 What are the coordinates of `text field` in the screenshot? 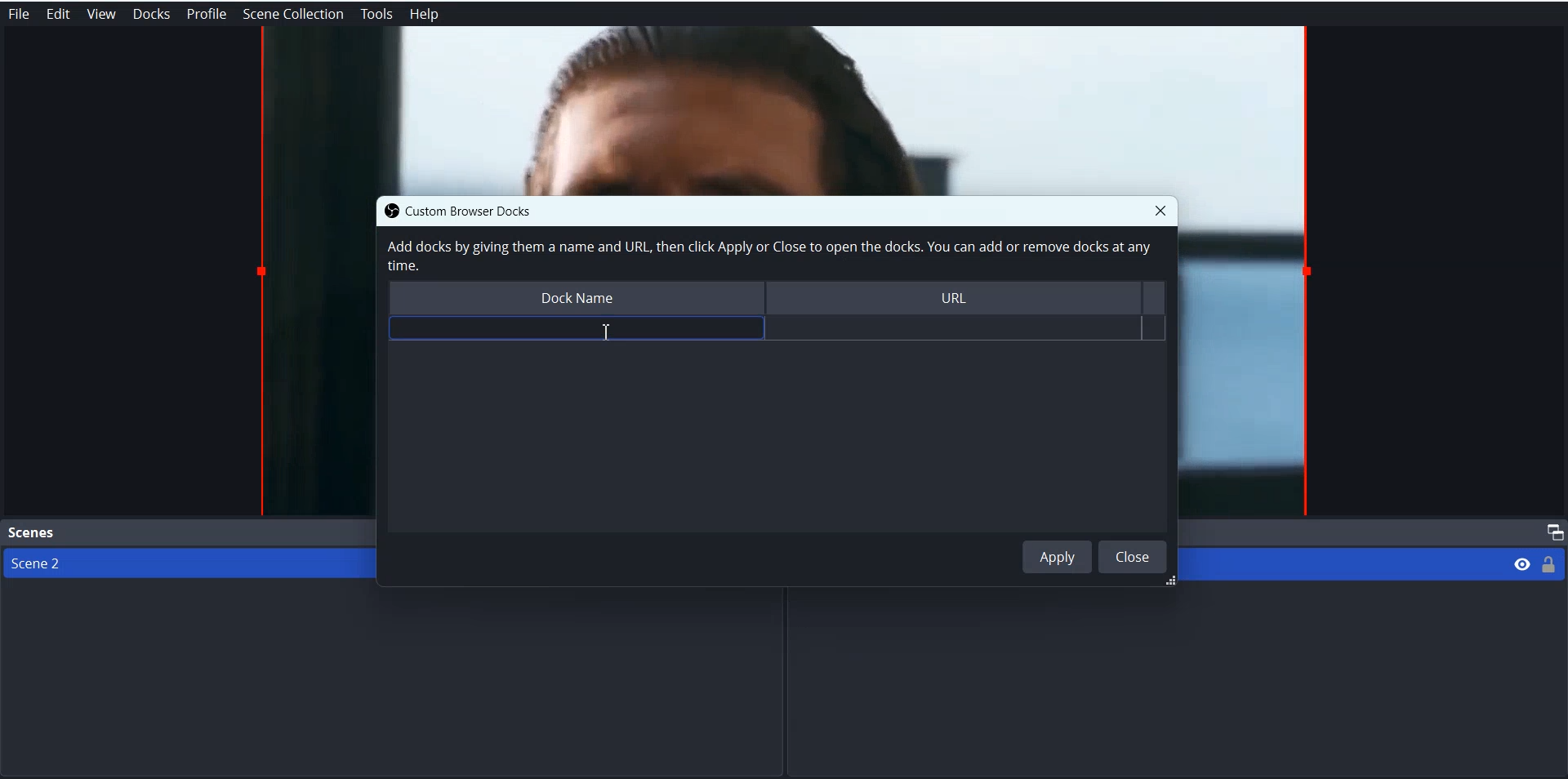 It's located at (576, 329).